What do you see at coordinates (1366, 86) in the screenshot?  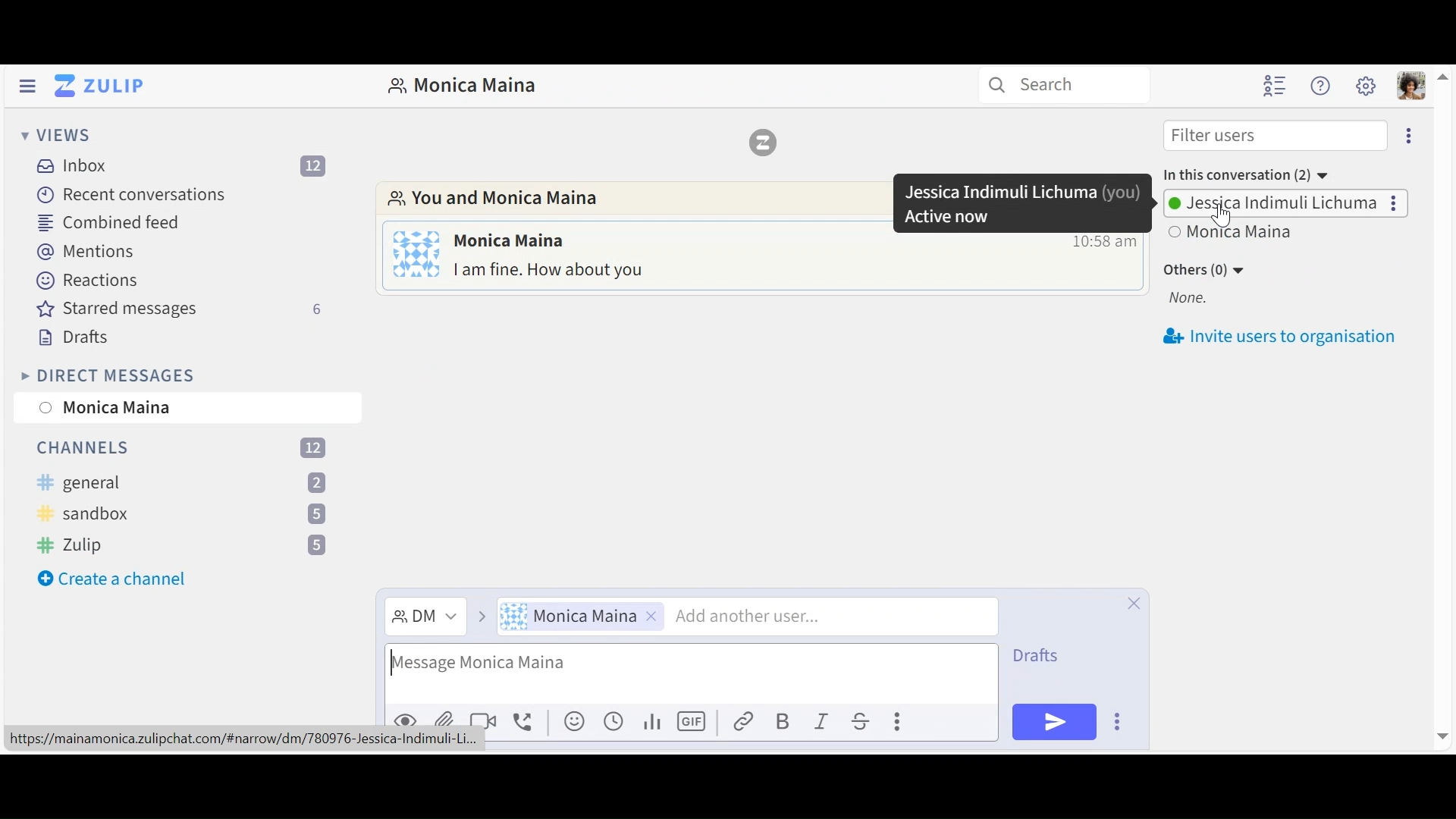 I see `Main user` at bounding box center [1366, 86].